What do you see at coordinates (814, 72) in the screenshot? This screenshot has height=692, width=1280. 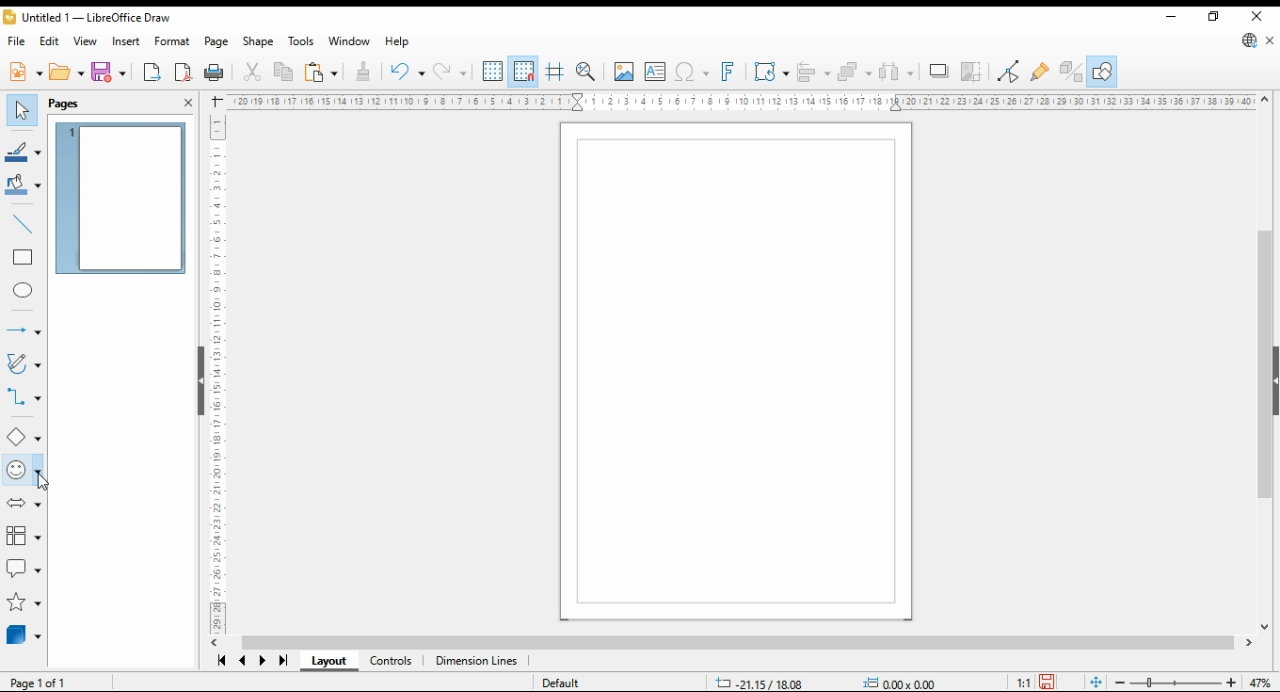 I see `align objects` at bounding box center [814, 72].